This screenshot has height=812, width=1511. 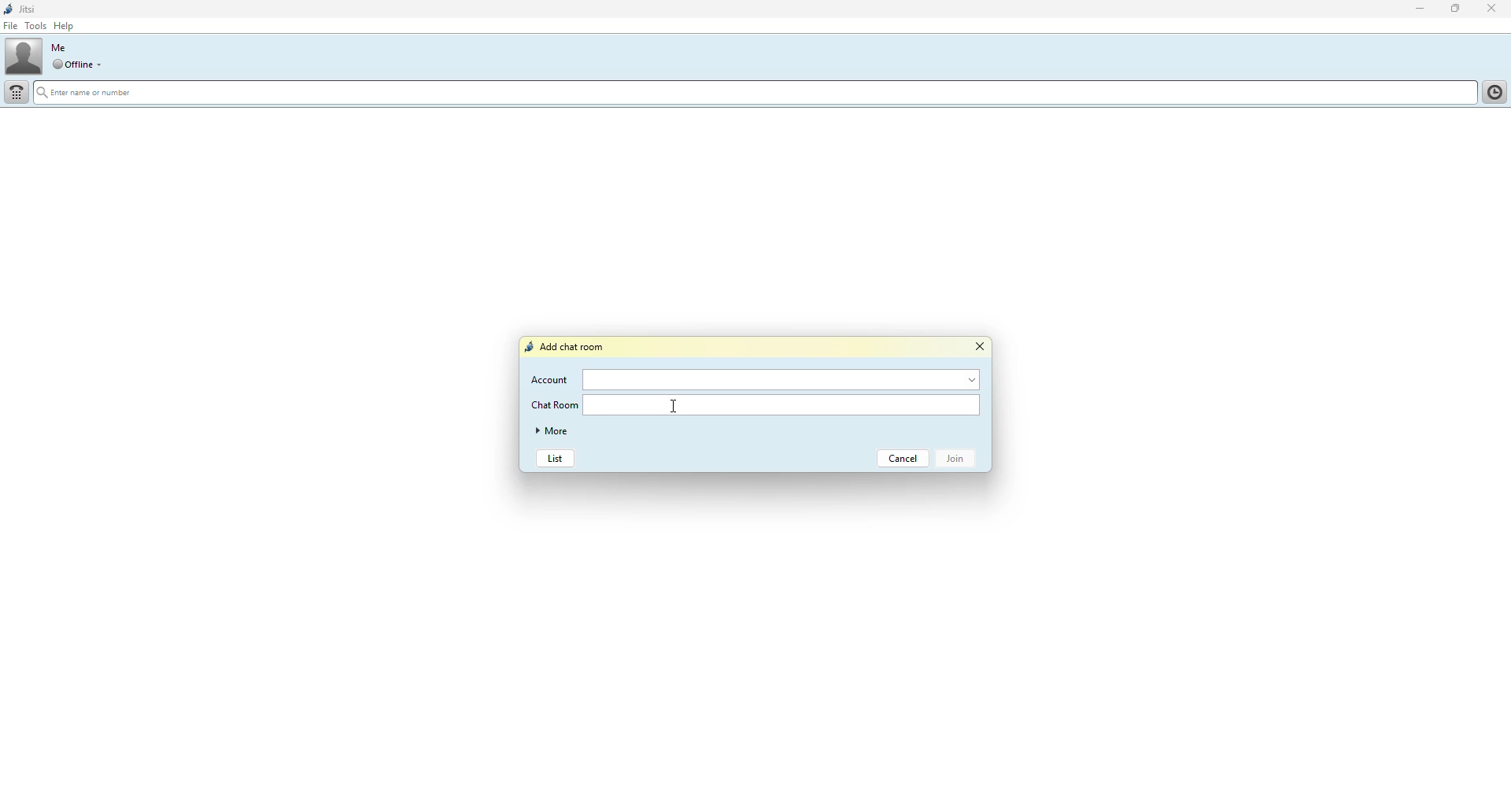 I want to click on help, so click(x=67, y=26).